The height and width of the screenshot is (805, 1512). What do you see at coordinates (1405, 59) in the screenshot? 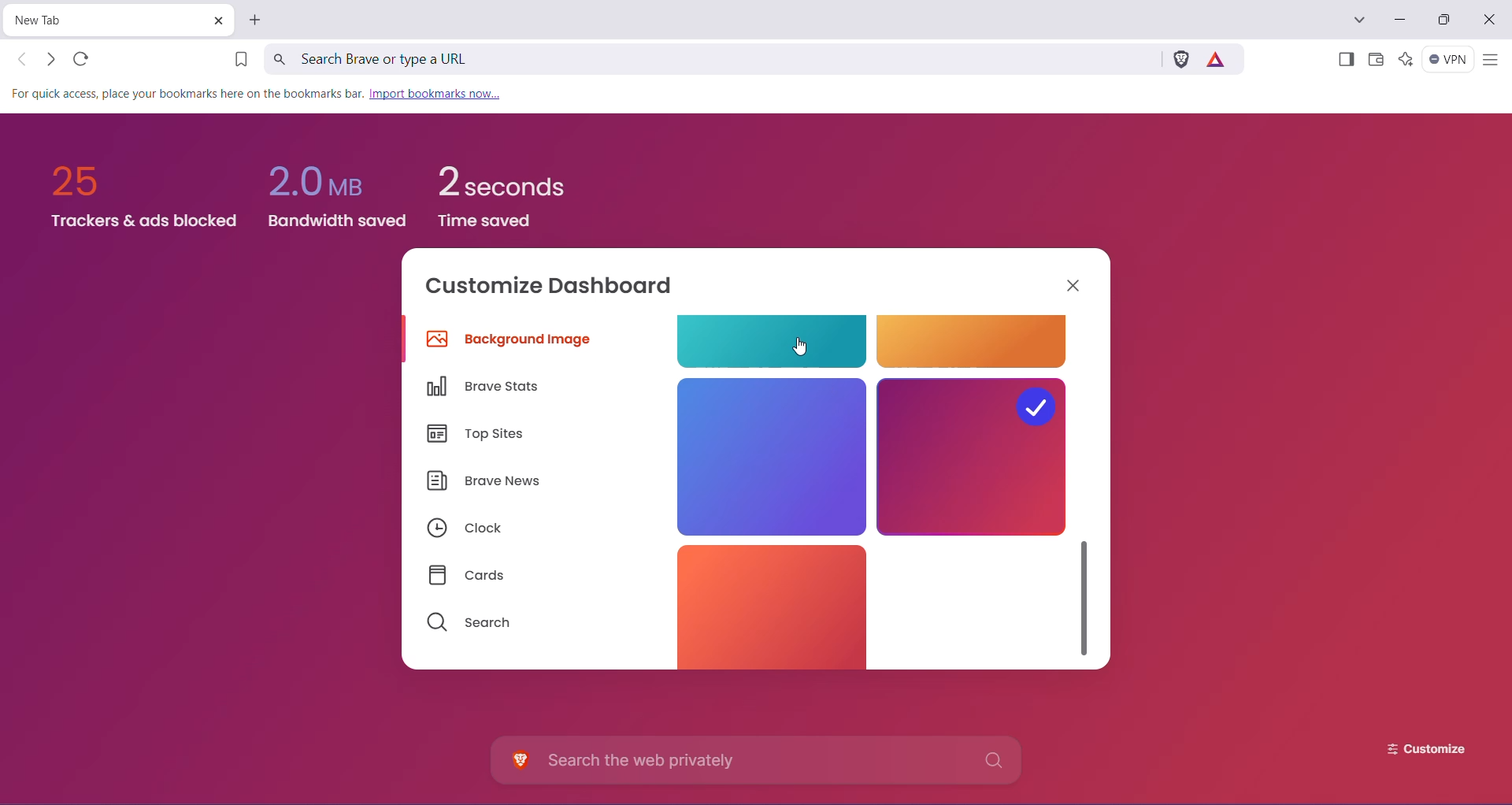
I see `Leo AI` at bounding box center [1405, 59].